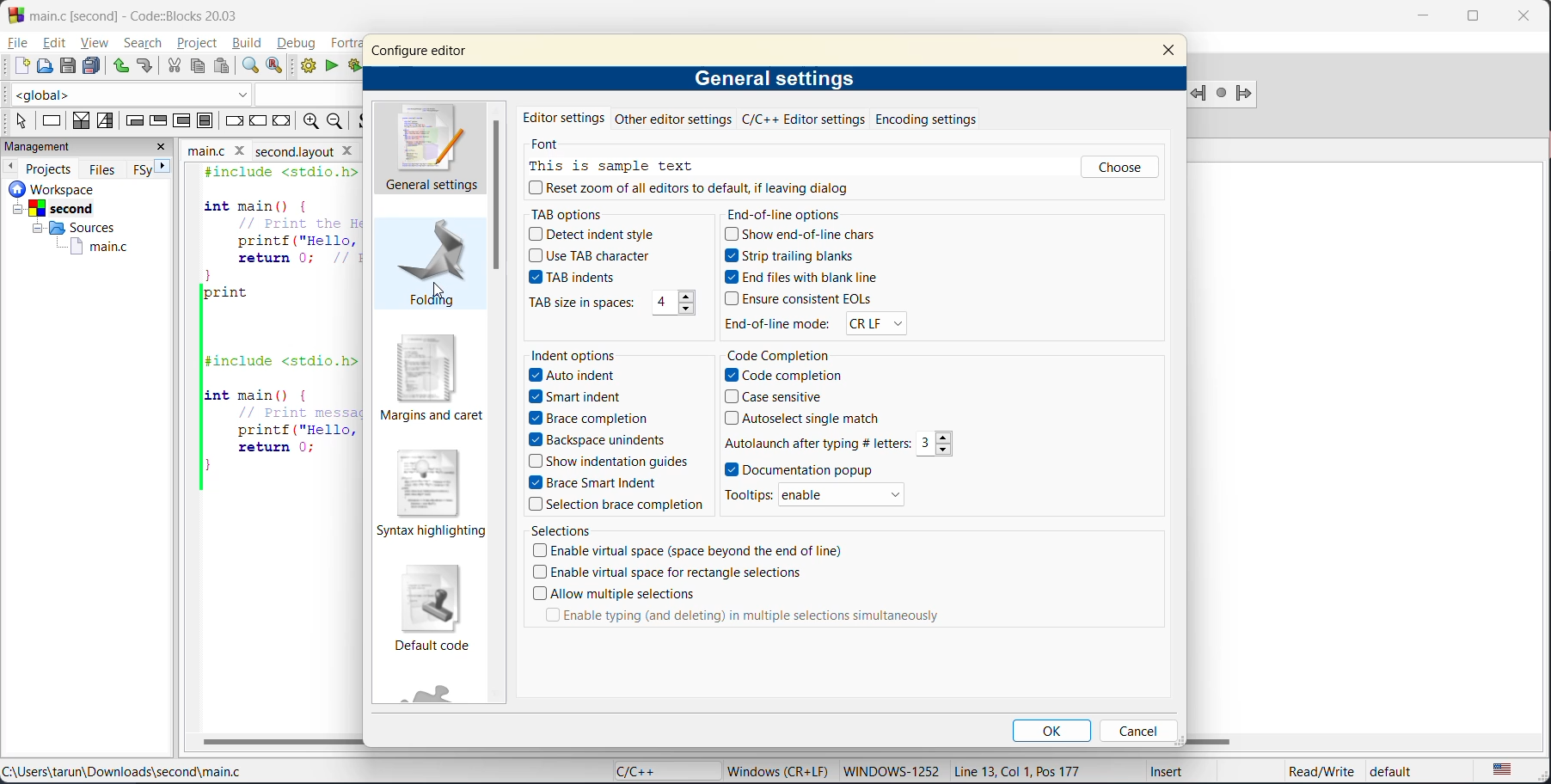 The height and width of the screenshot is (784, 1551). Describe the element at coordinates (596, 419) in the screenshot. I see `Brace completion` at that location.